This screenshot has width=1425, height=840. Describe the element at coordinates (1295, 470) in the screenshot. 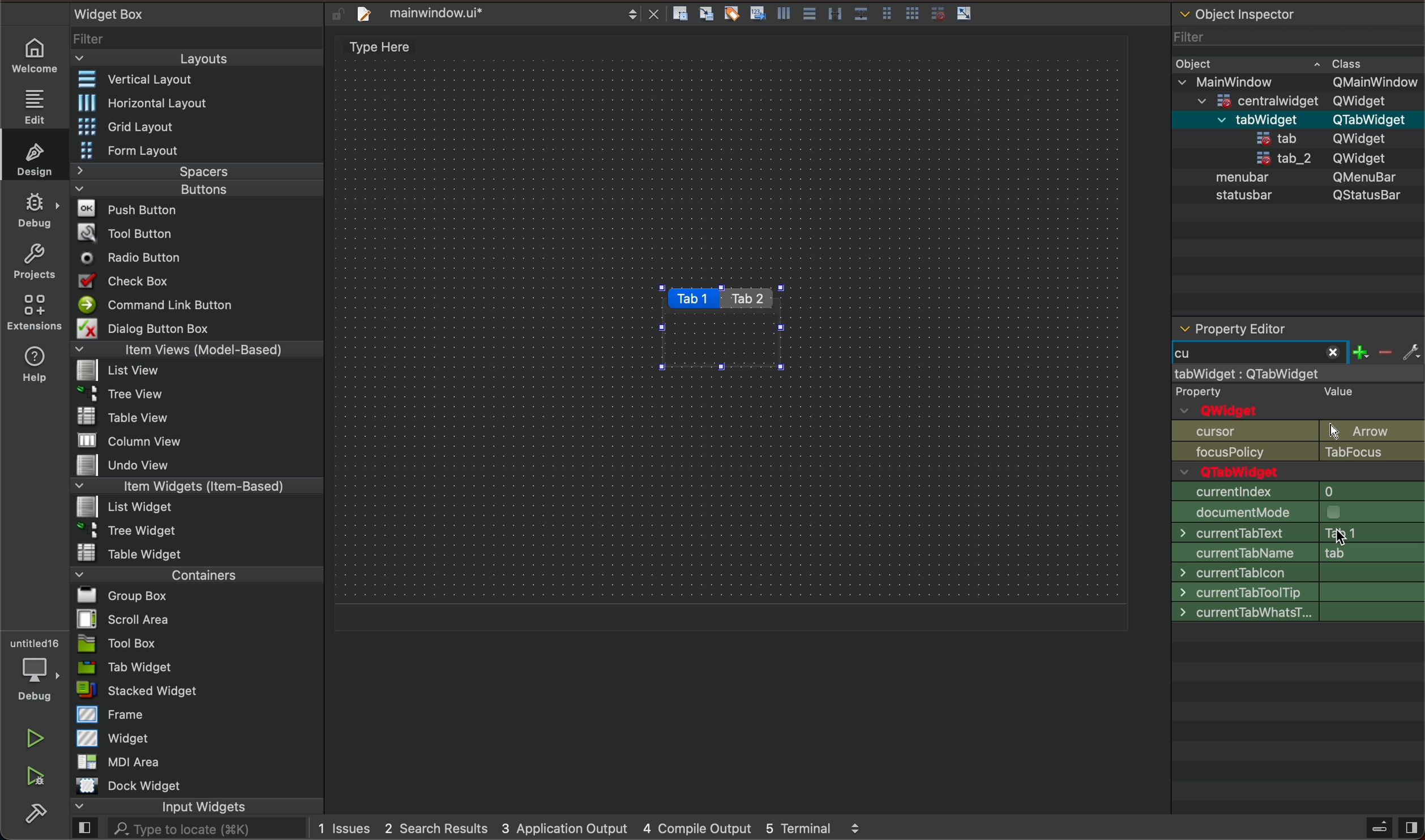

I see `enabled` at that location.